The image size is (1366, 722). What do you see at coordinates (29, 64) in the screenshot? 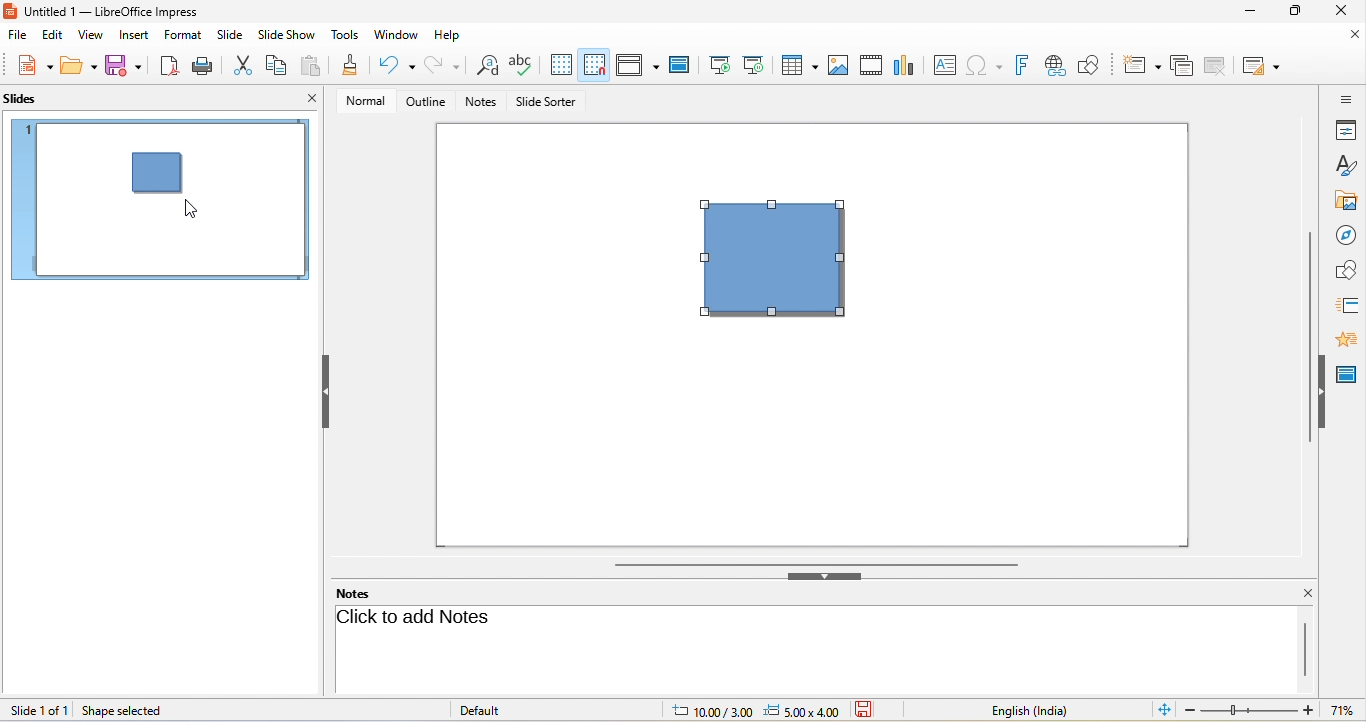
I see `new` at bounding box center [29, 64].